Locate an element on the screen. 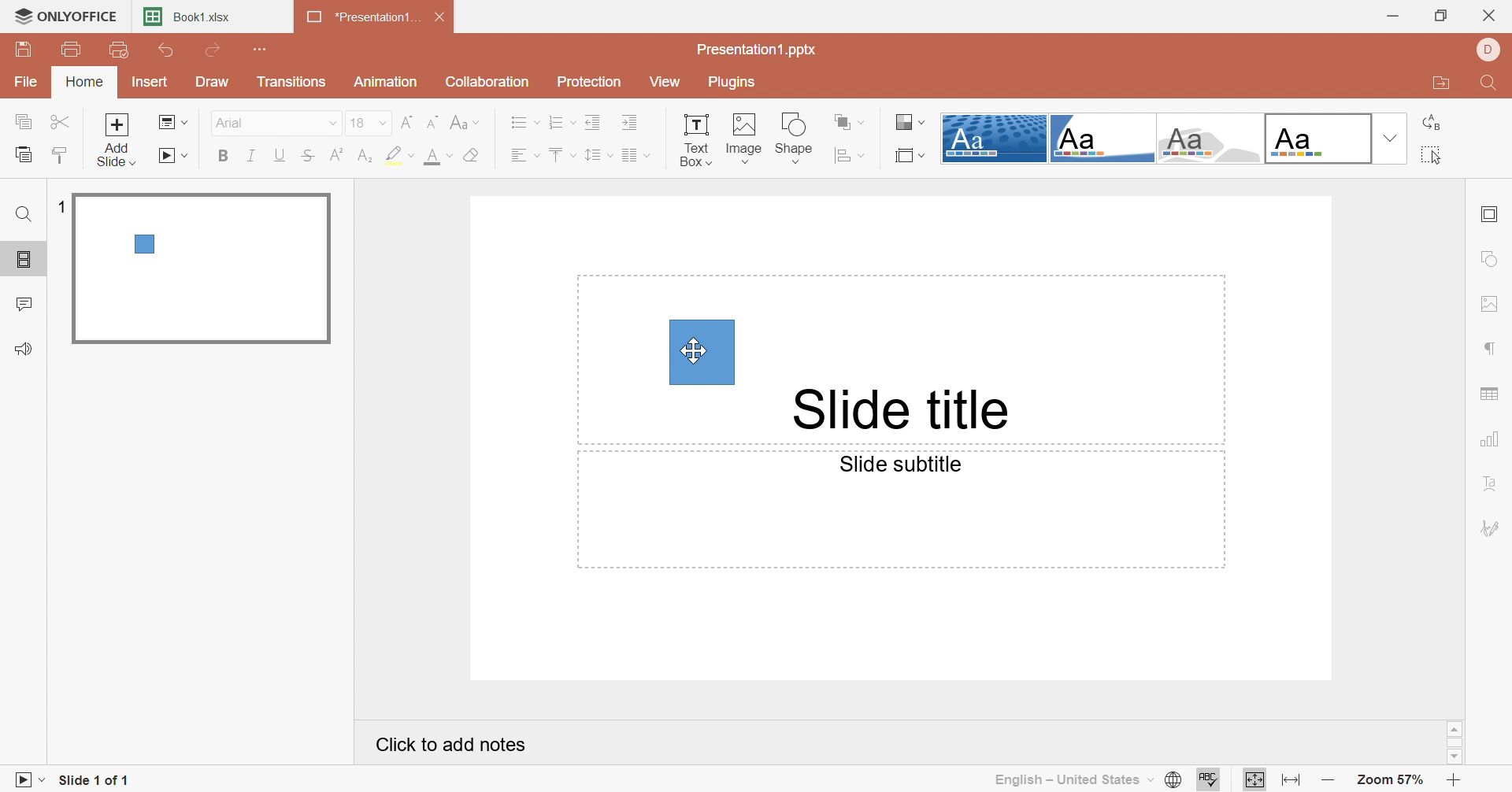  Paste is located at coordinates (23, 156).